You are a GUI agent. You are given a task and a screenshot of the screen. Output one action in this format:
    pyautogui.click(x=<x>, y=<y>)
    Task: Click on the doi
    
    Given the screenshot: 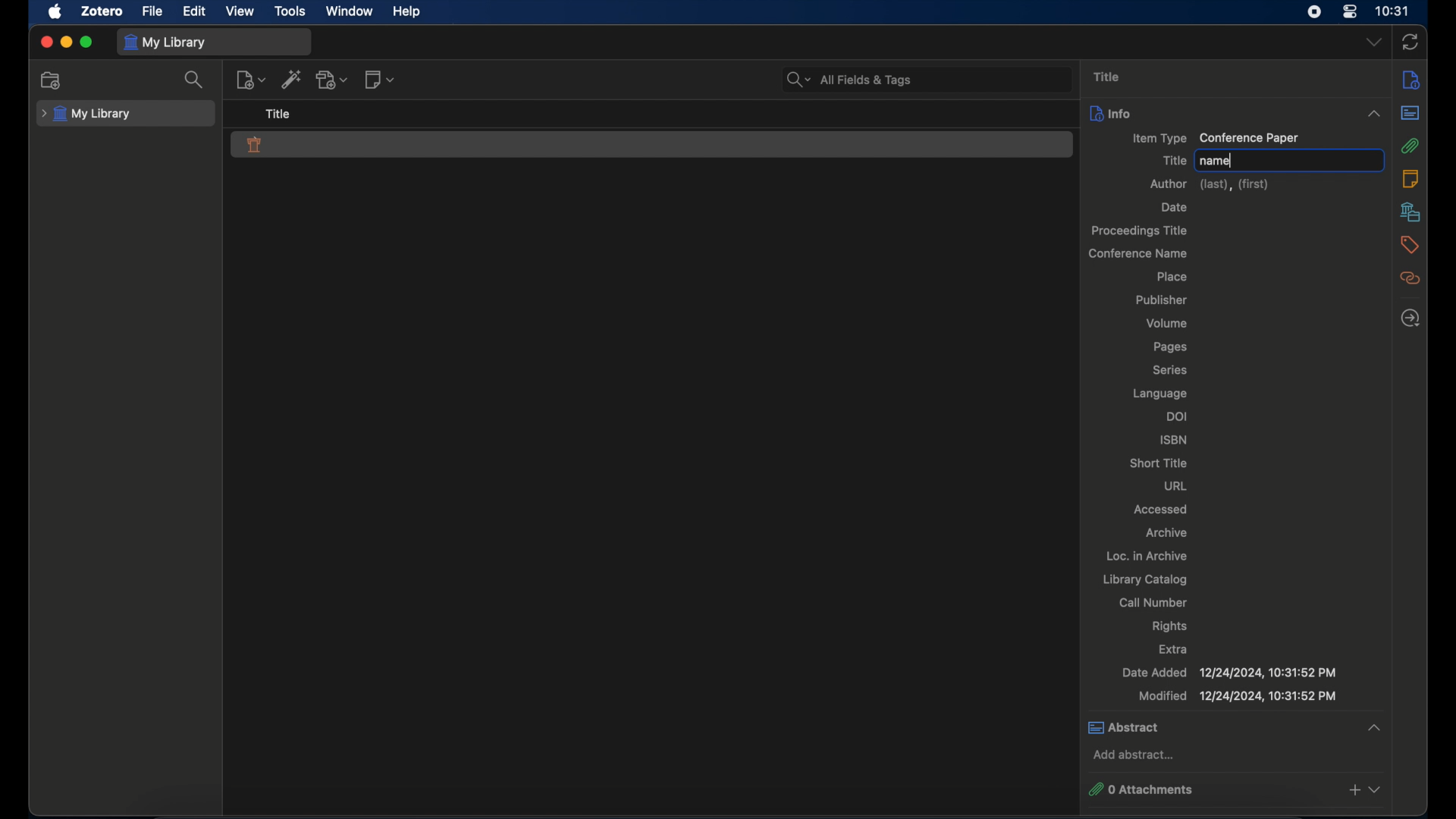 What is the action you would take?
    pyautogui.click(x=1178, y=416)
    